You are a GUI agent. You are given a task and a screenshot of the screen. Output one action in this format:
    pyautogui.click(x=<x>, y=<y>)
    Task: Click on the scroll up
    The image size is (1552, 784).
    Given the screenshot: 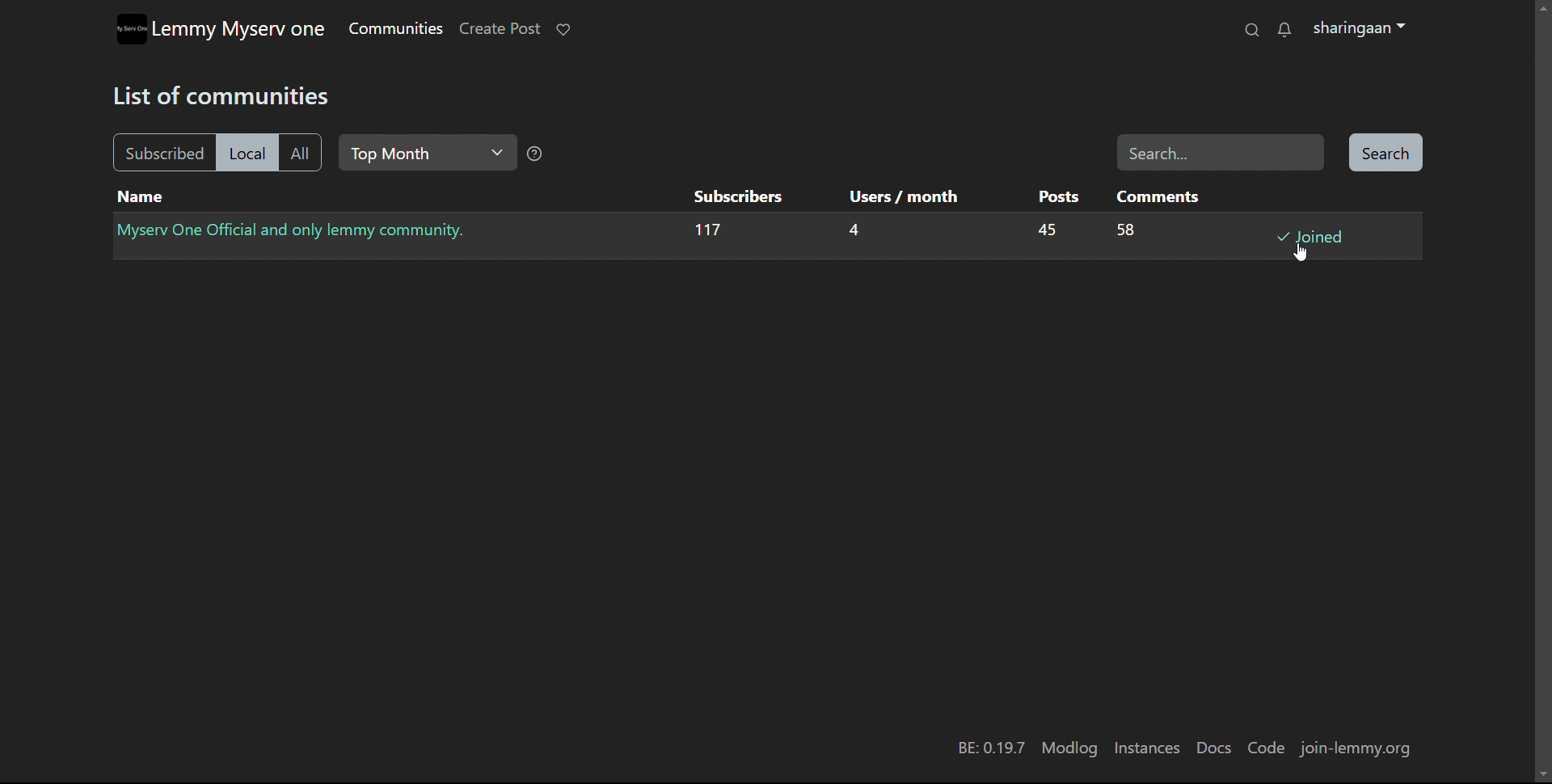 What is the action you would take?
    pyautogui.click(x=1542, y=6)
    